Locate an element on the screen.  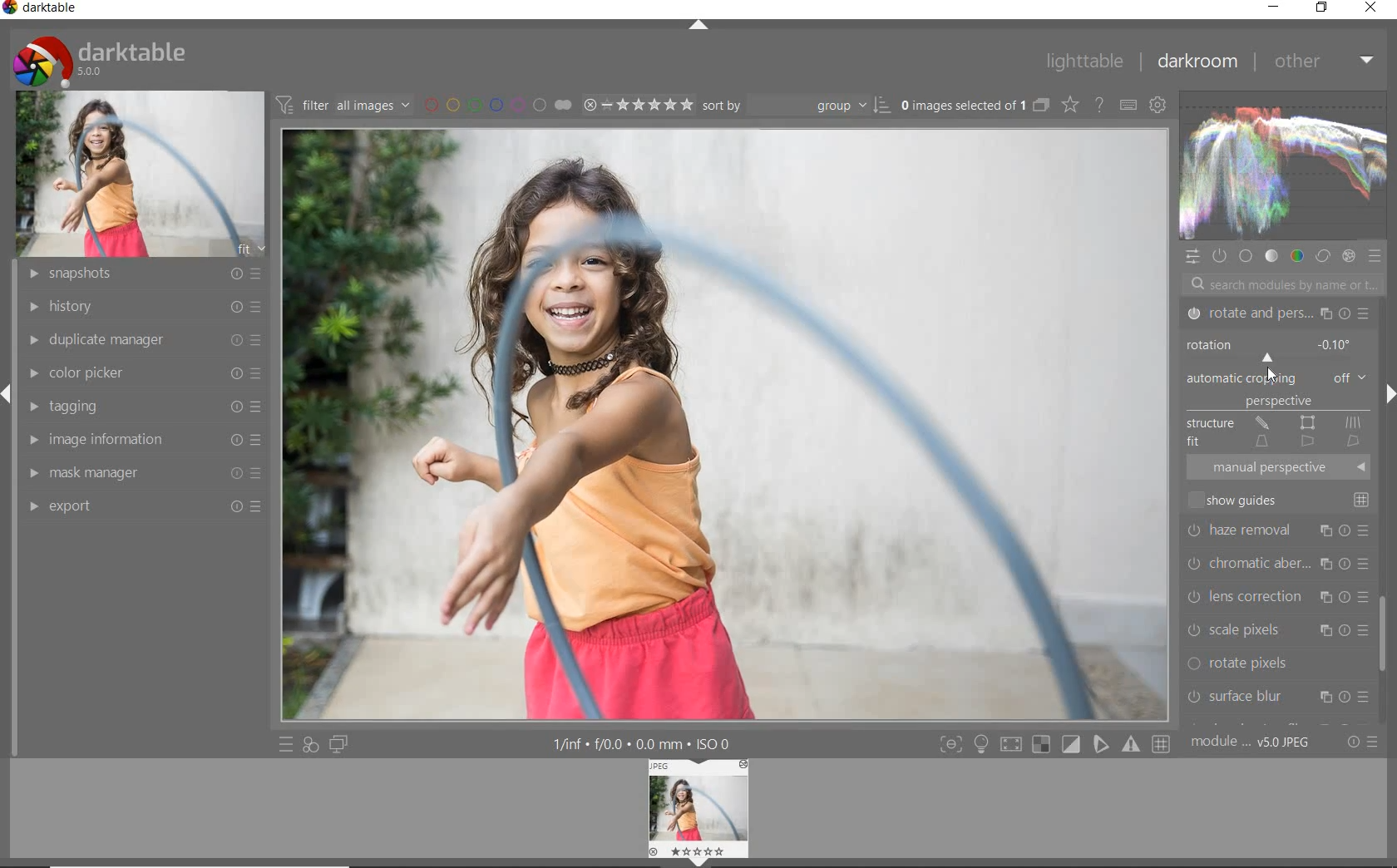
color is located at coordinates (1298, 258).